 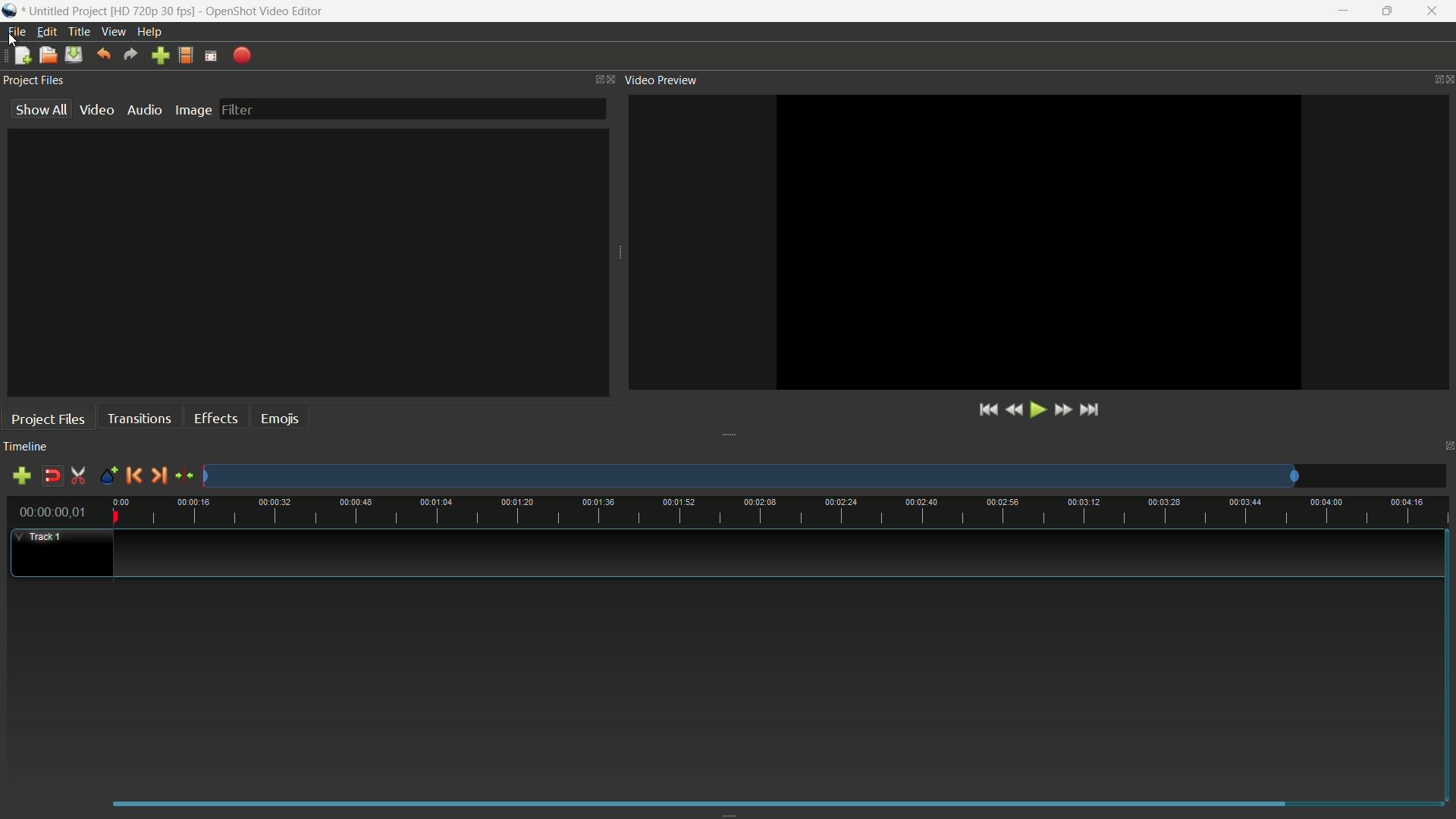 I want to click on full screen, so click(x=211, y=55).